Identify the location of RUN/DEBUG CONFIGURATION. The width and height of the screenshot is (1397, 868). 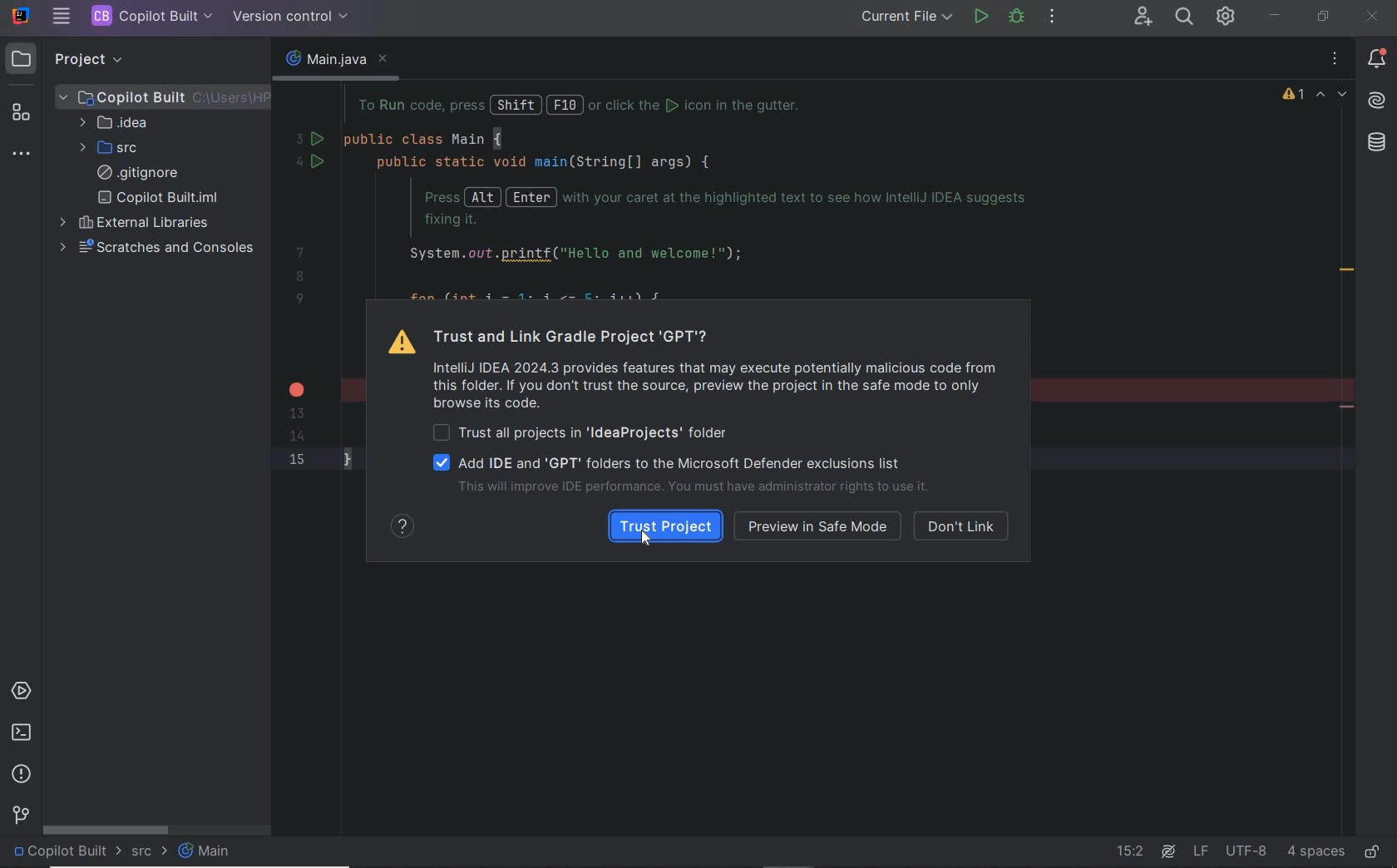
(906, 18).